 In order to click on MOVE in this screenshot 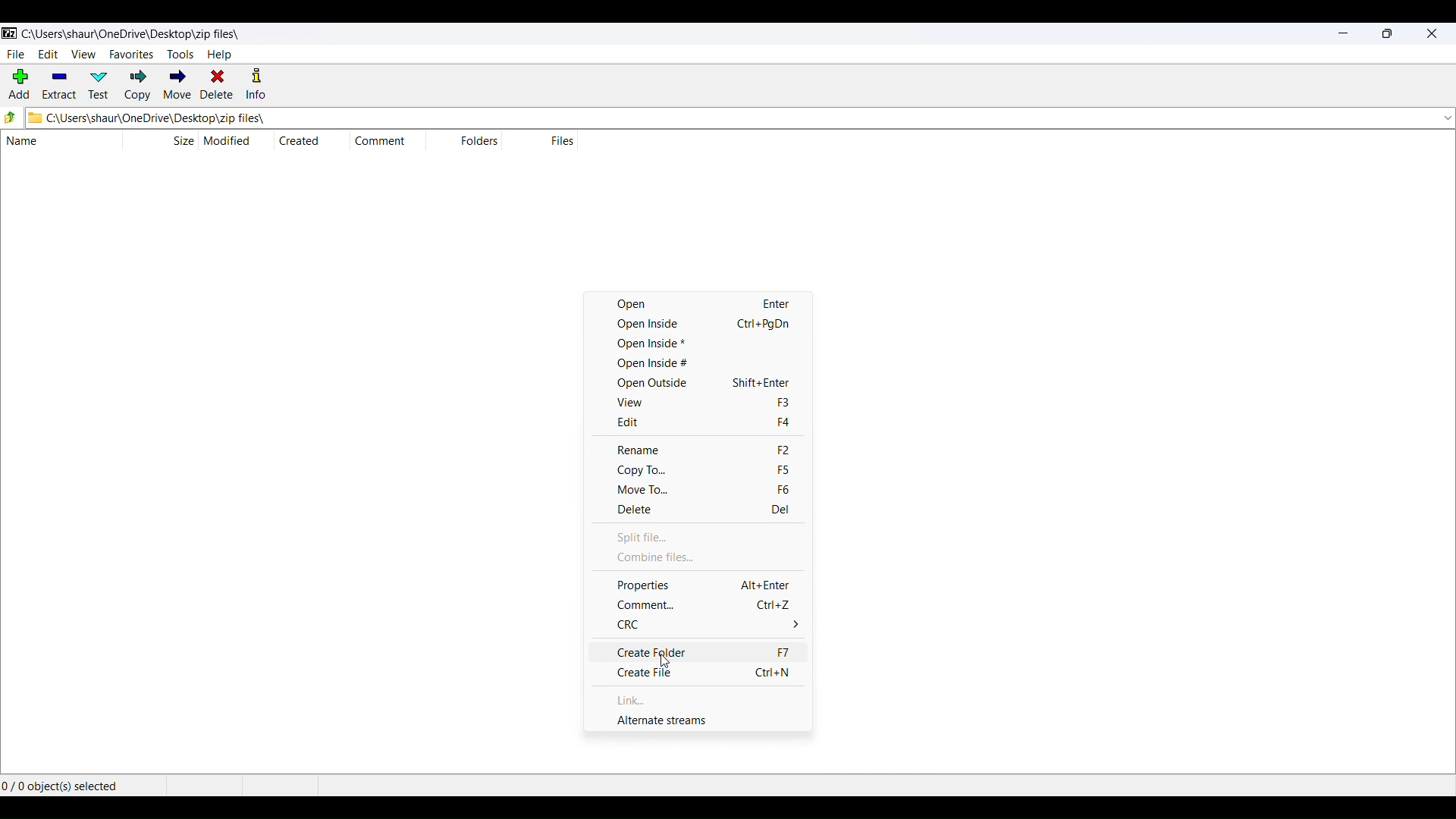, I will do `click(176, 86)`.